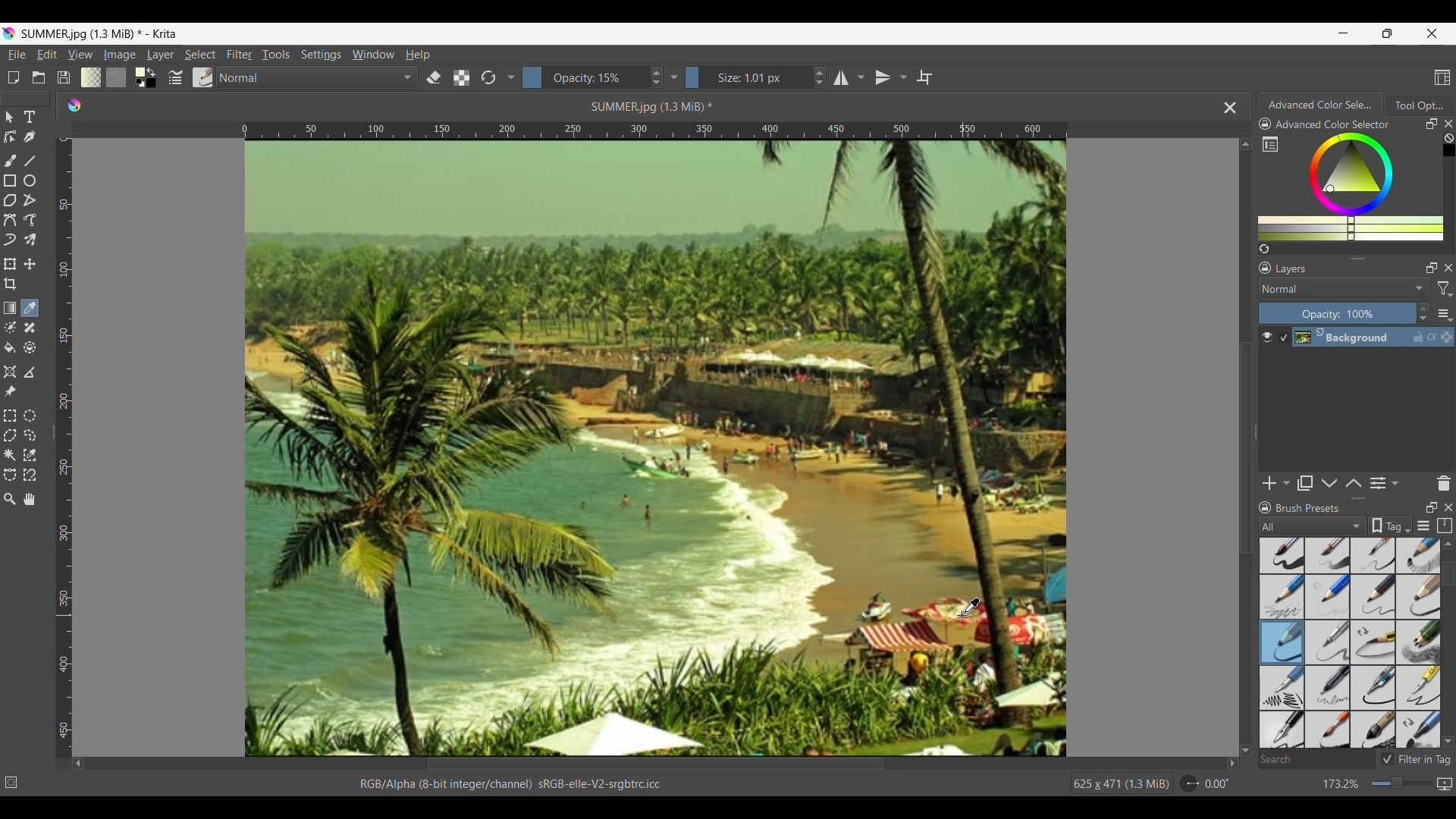  What do you see at coordinates (1445, 526) in the screenshot?
I see `Storage resources` at bounding box center [1445, 526].